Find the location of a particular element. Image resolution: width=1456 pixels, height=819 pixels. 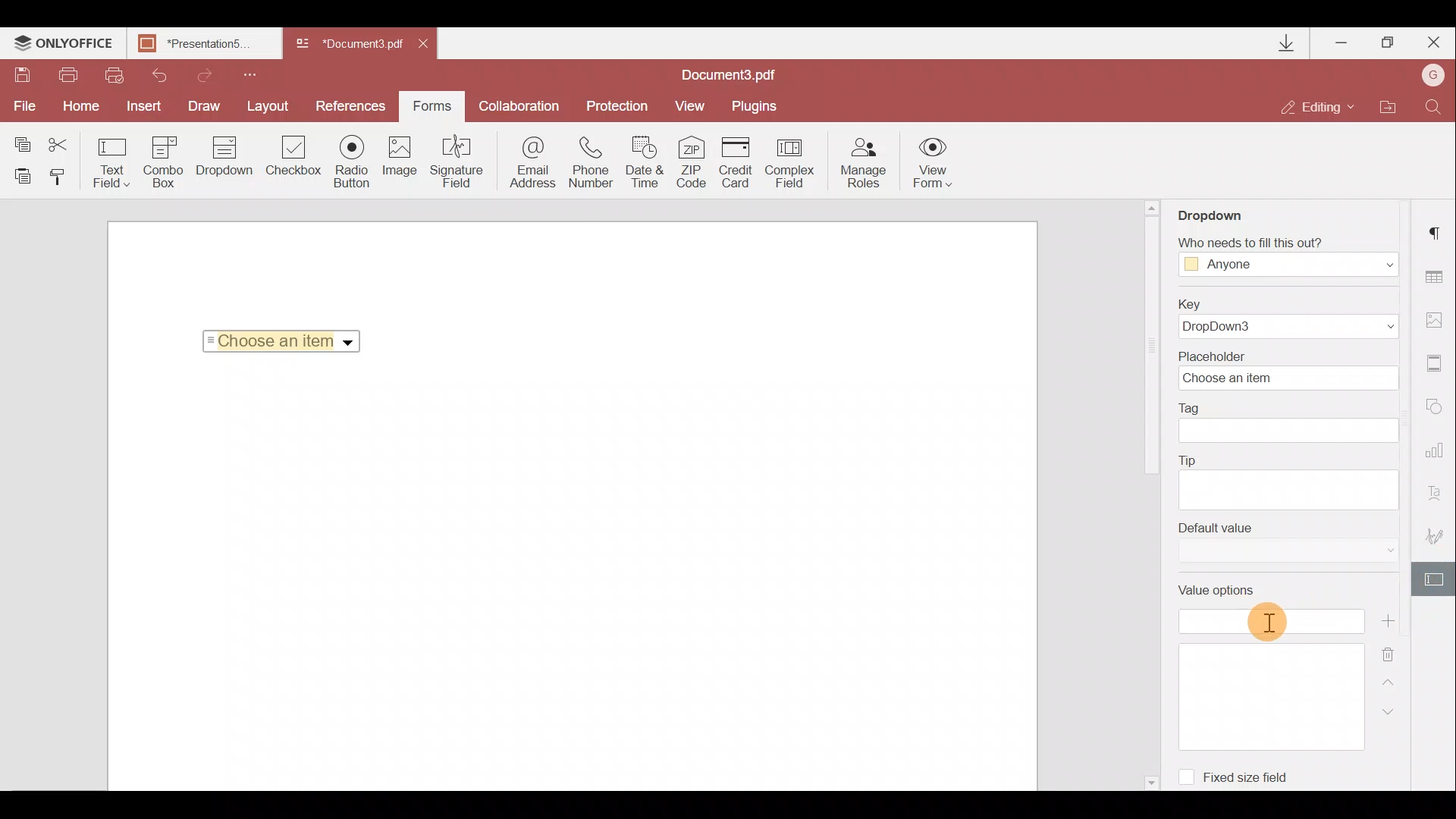

Scroll down is located at coordinates (1150, 780).